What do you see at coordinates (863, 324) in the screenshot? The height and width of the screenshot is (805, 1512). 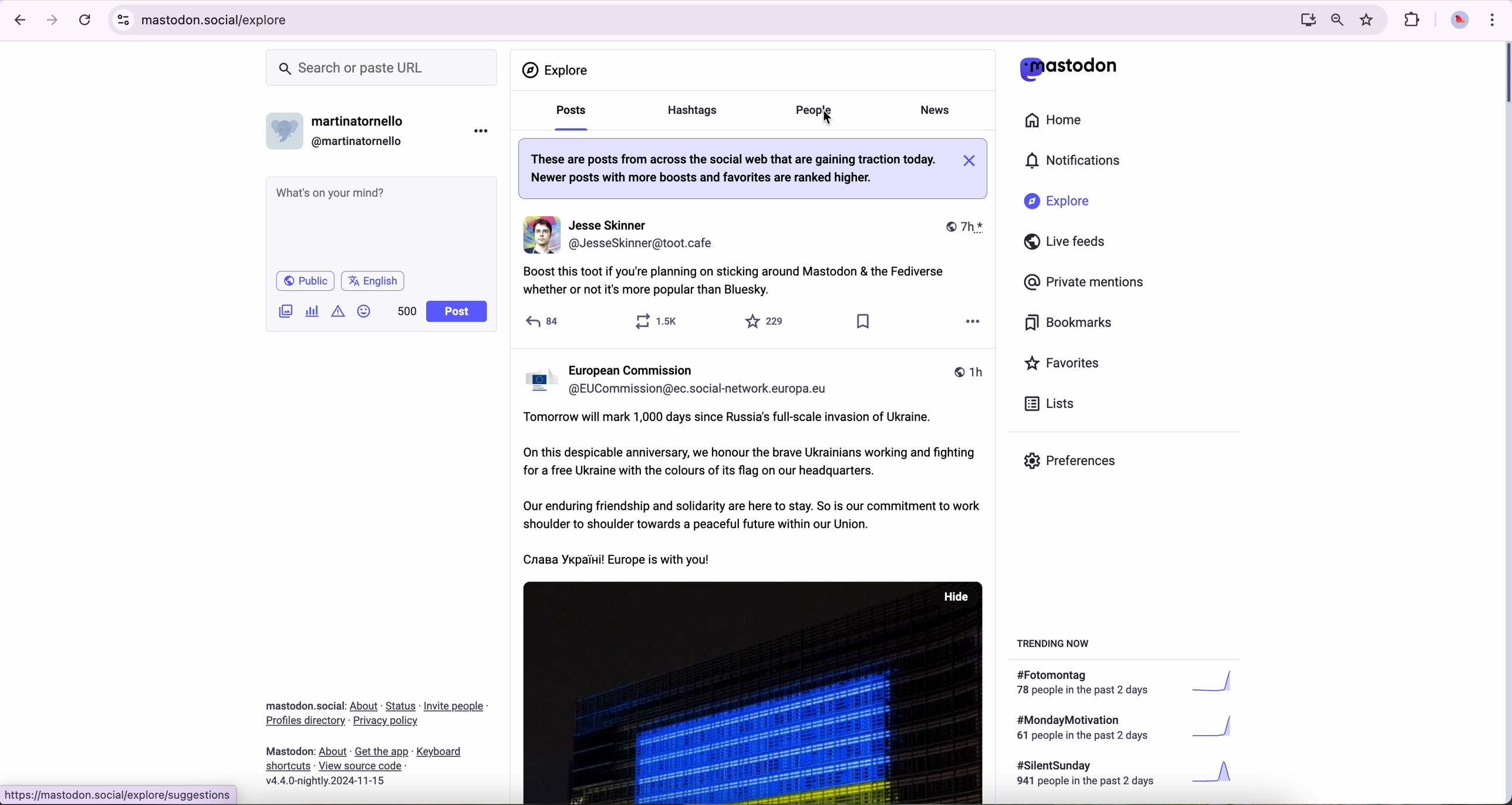 I see `save` at bounding box center [863, 324].